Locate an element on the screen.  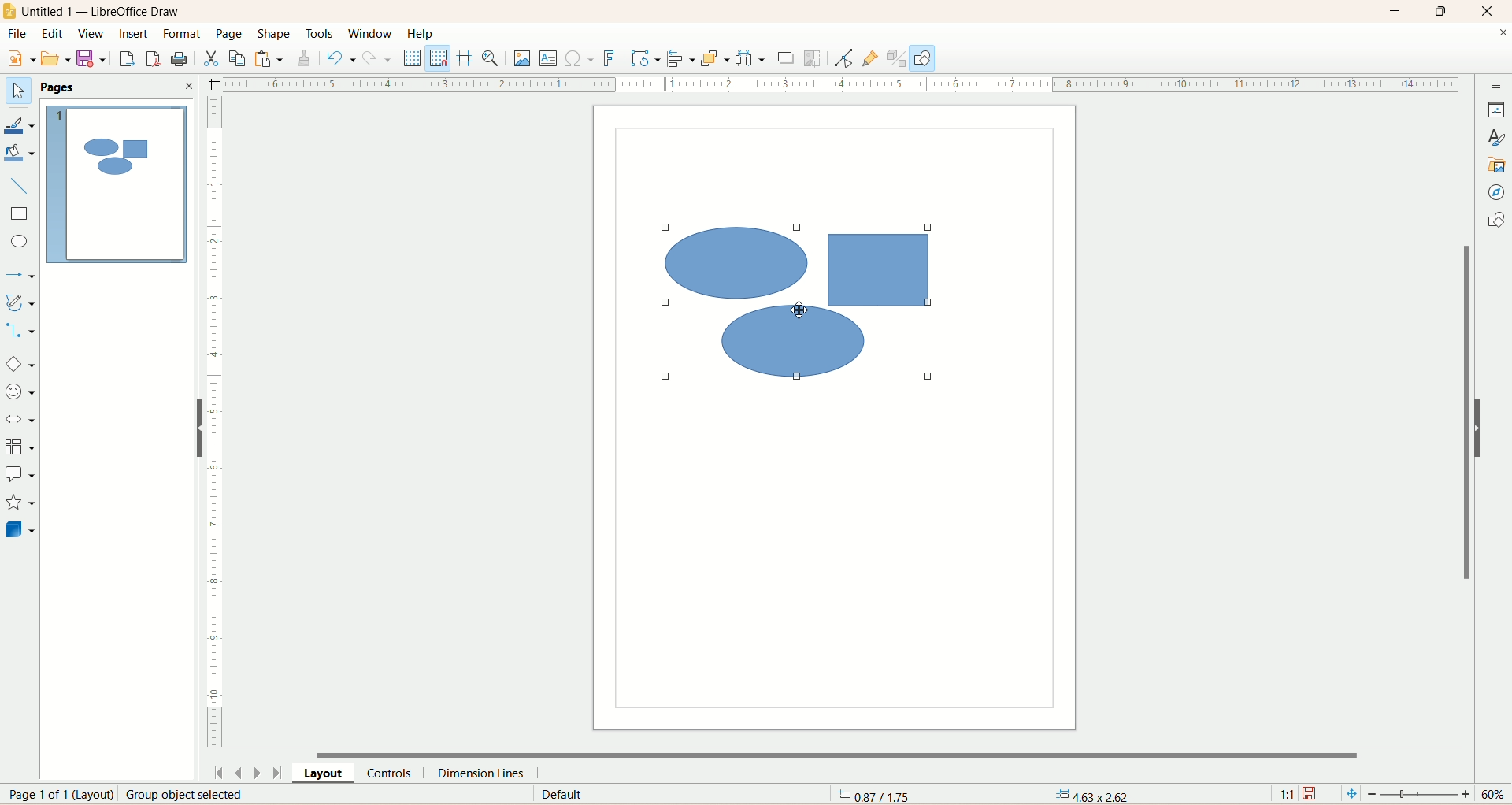
draw function is located at coordinates (922, 58).